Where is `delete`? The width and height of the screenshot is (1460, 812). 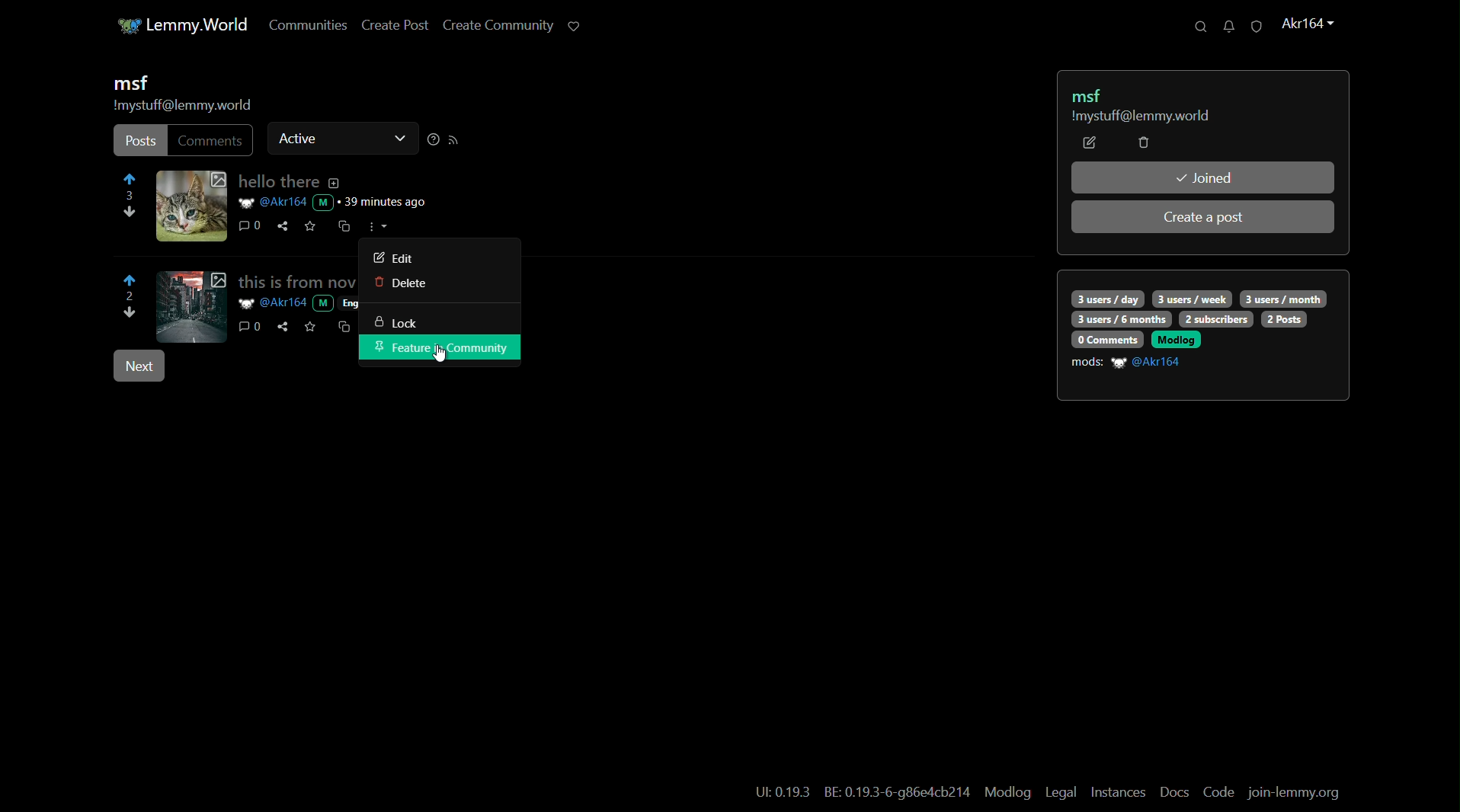
delete is located at coordinates (396, 283).